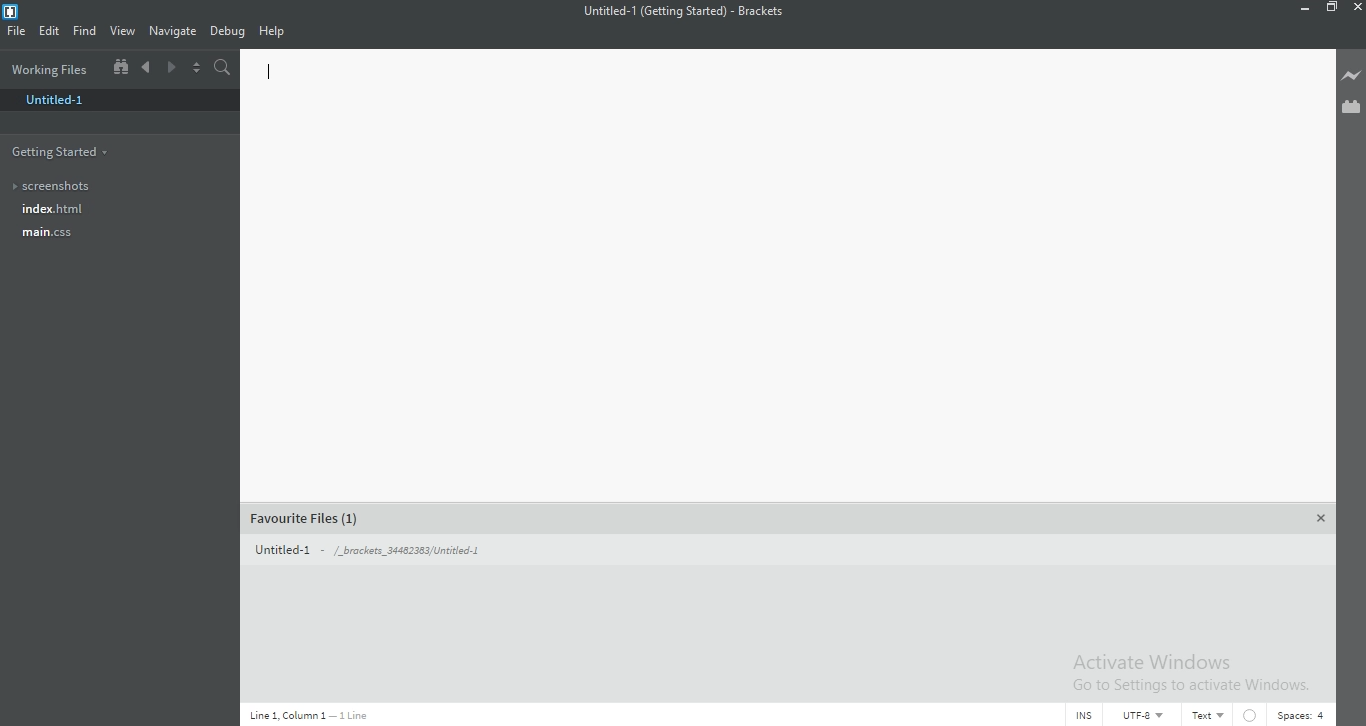  Describe the element at coordinates (119, 69) in the screenshot. I see `Show file tree` at that location.